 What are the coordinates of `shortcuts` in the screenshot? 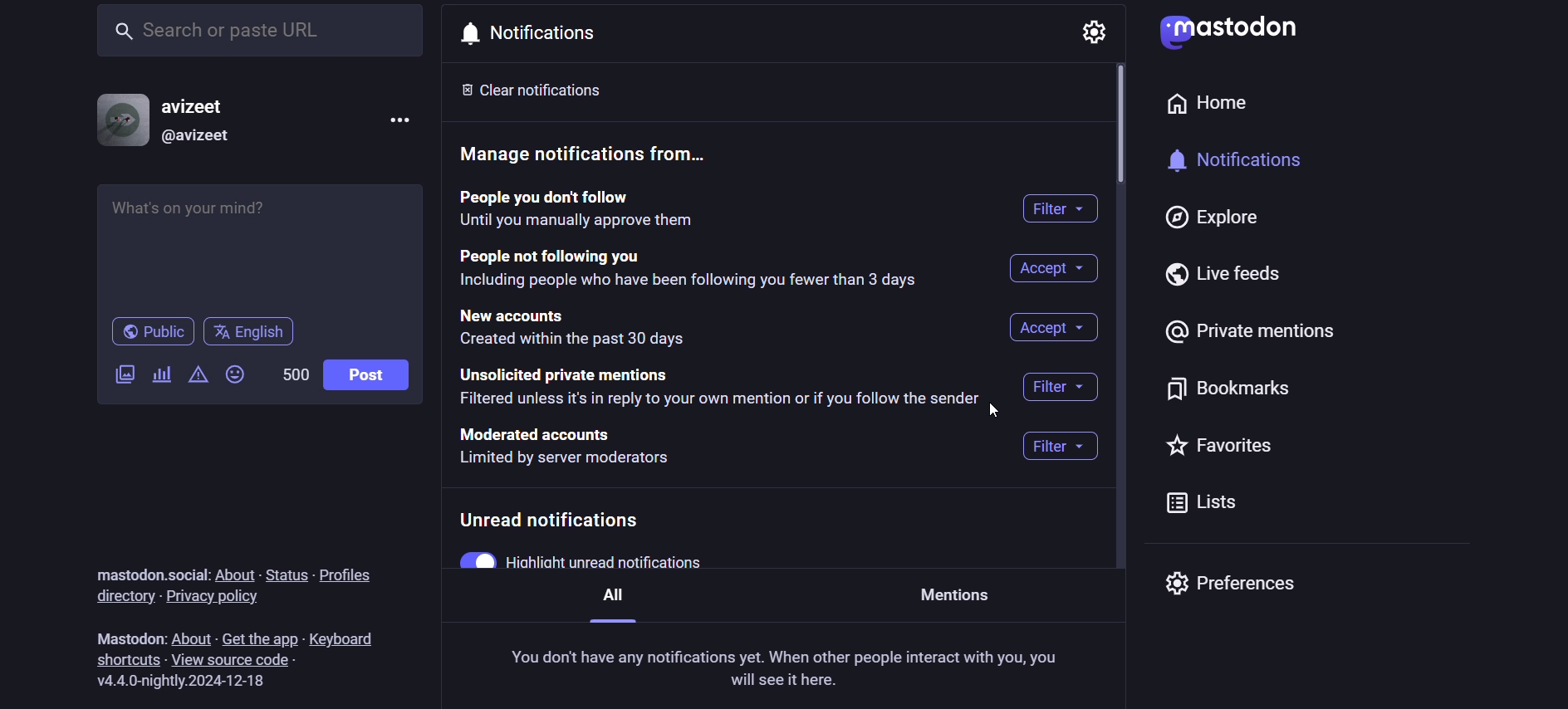 It's located at (128, 658).